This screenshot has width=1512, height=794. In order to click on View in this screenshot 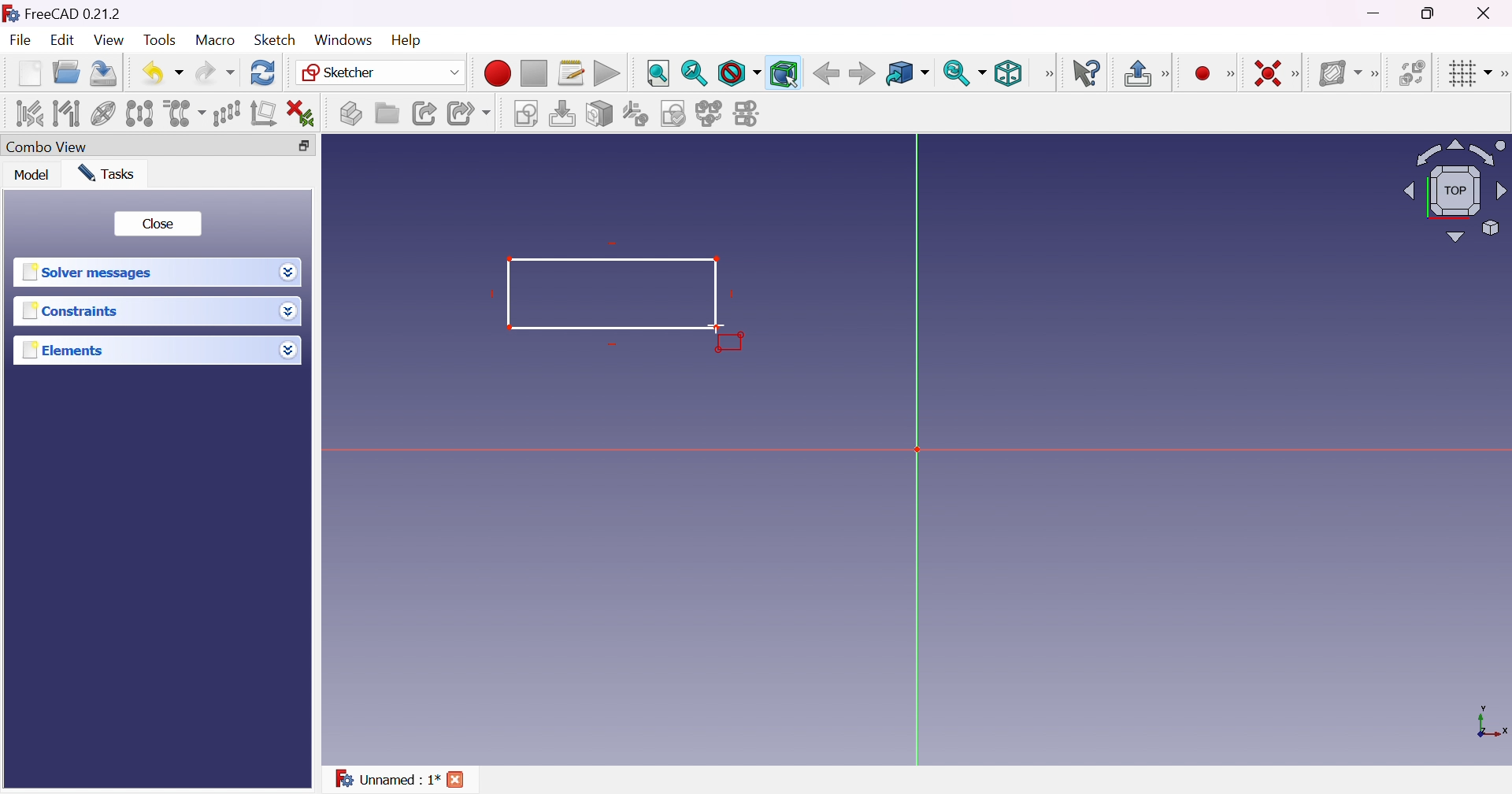, I will do `click(1048, 75)`.